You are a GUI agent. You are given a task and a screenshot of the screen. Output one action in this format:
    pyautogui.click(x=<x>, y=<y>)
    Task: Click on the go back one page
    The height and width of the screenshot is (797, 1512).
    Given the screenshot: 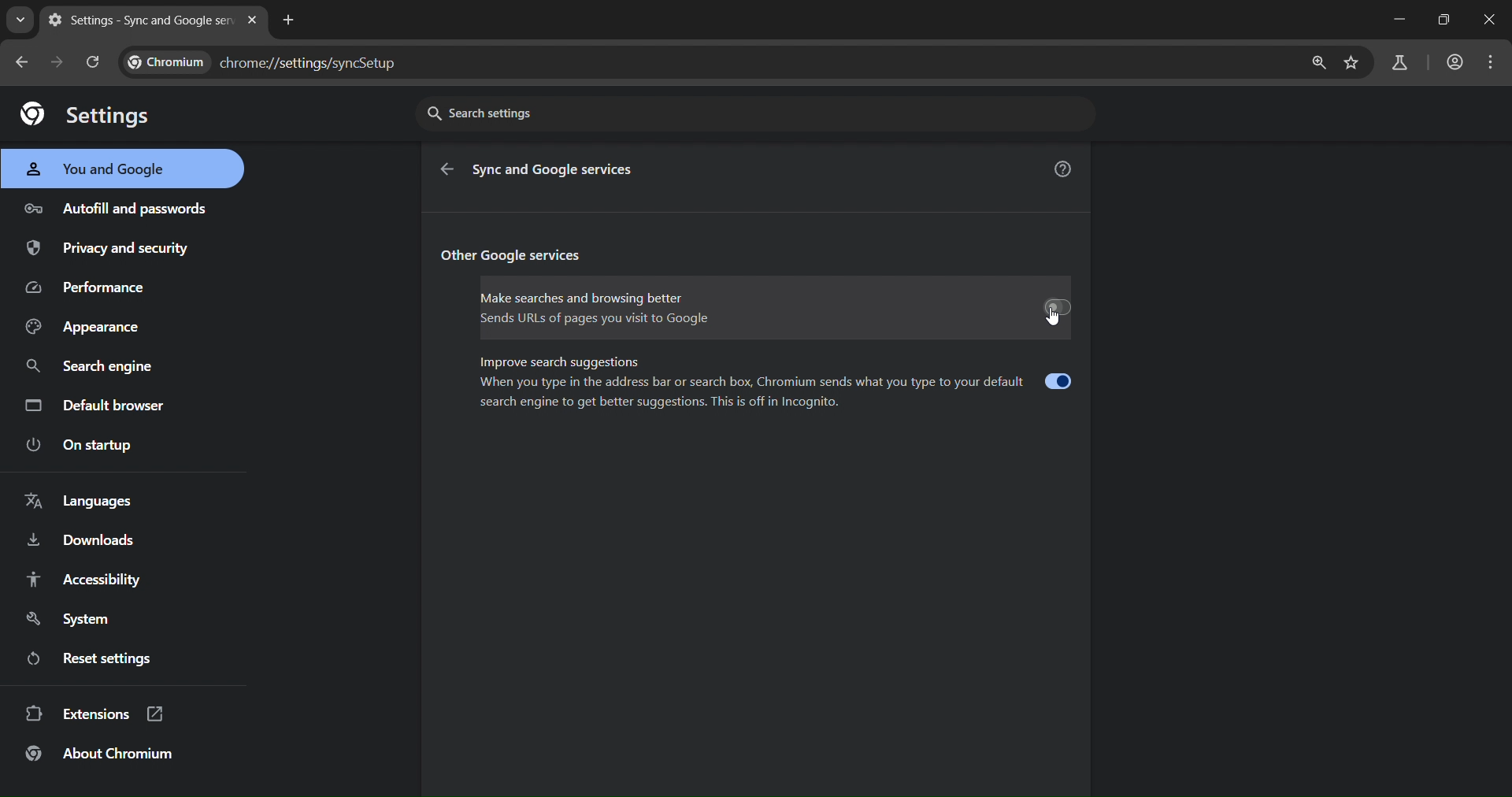 What is the action you would take?
    pyautogui.click(x=25, y=63)
    